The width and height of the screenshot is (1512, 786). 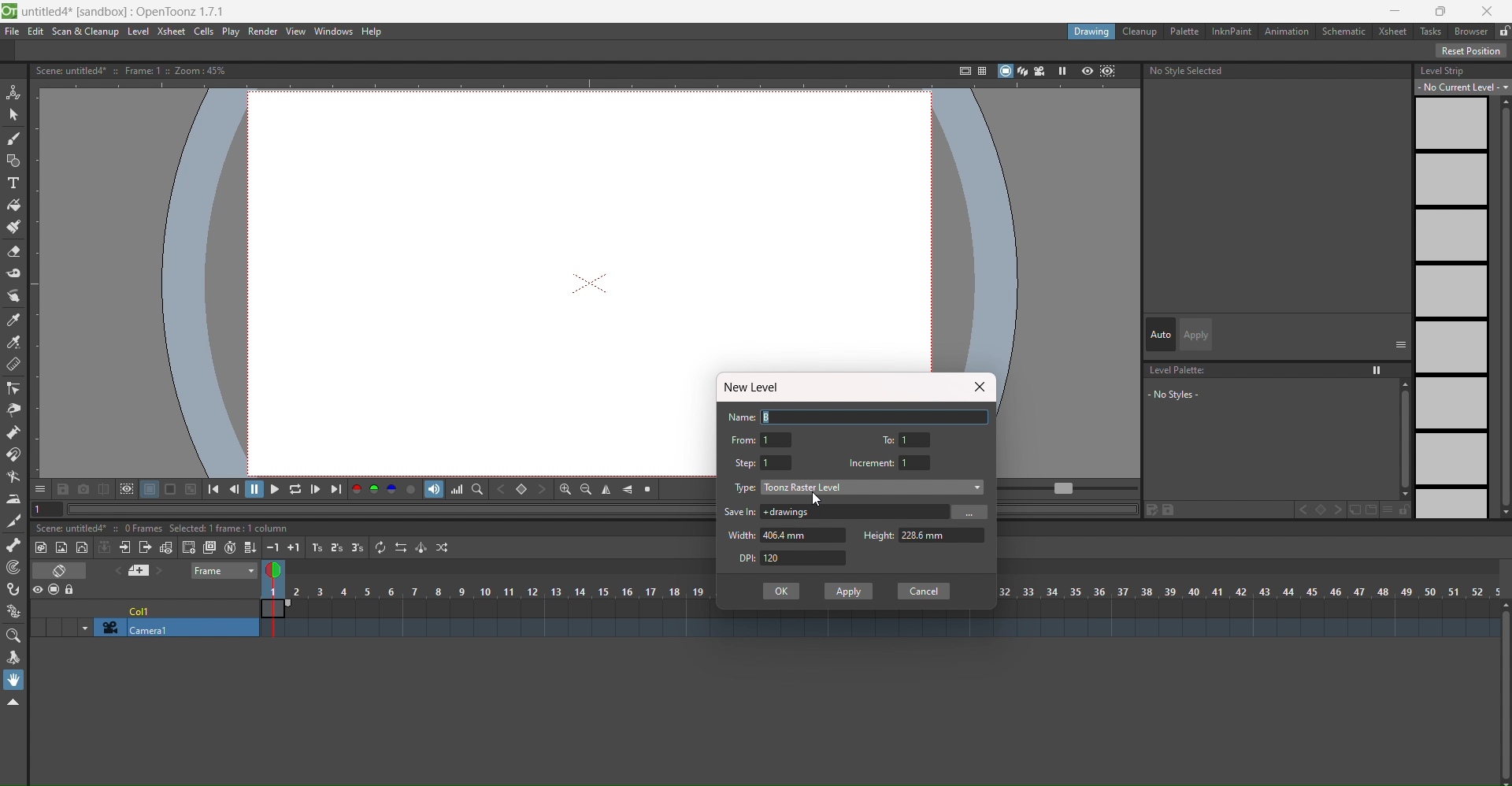 What do you see at coordinates (477, 488) in the screenshot?
I see `locator` at bounding box center [477, 488].